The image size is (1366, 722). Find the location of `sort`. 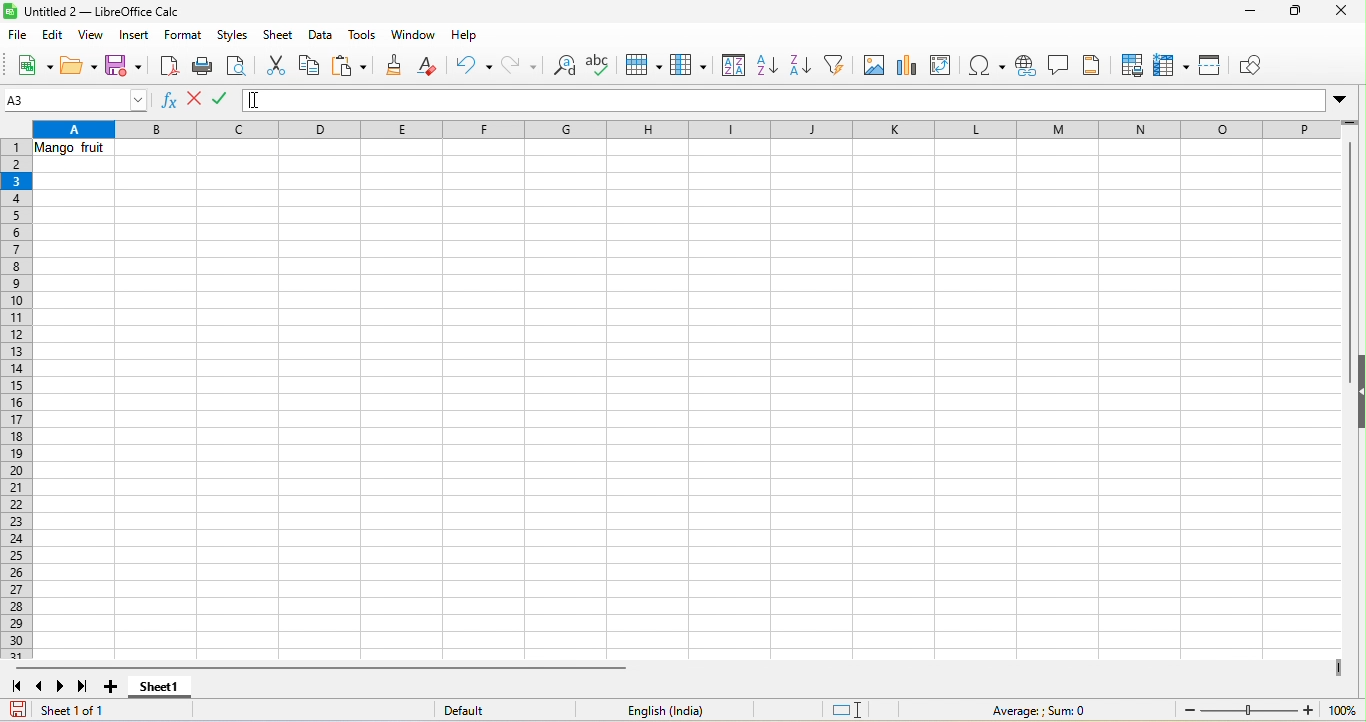

sort is located at coordinates (730, 66).